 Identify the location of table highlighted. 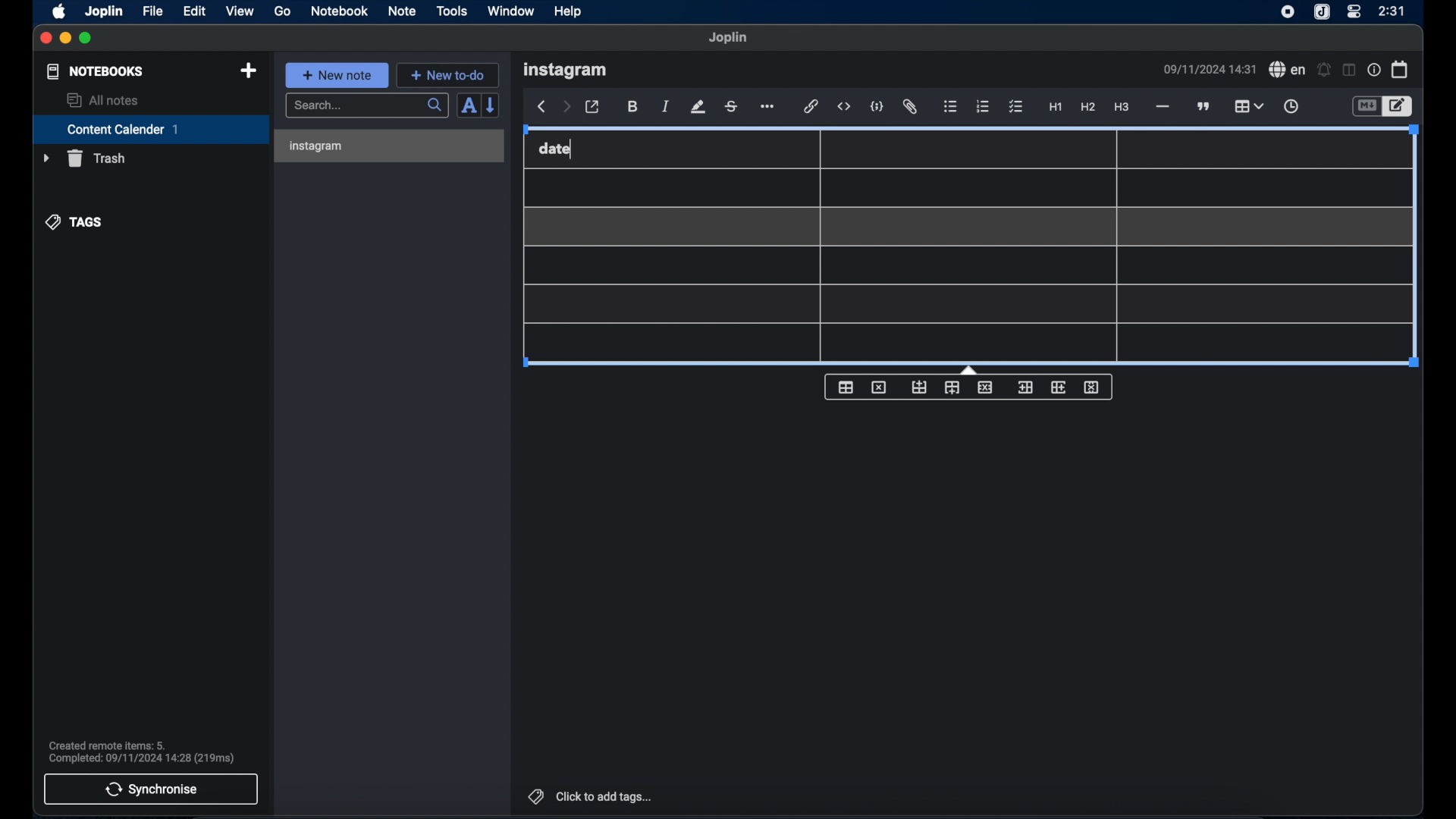
(1248, 105).